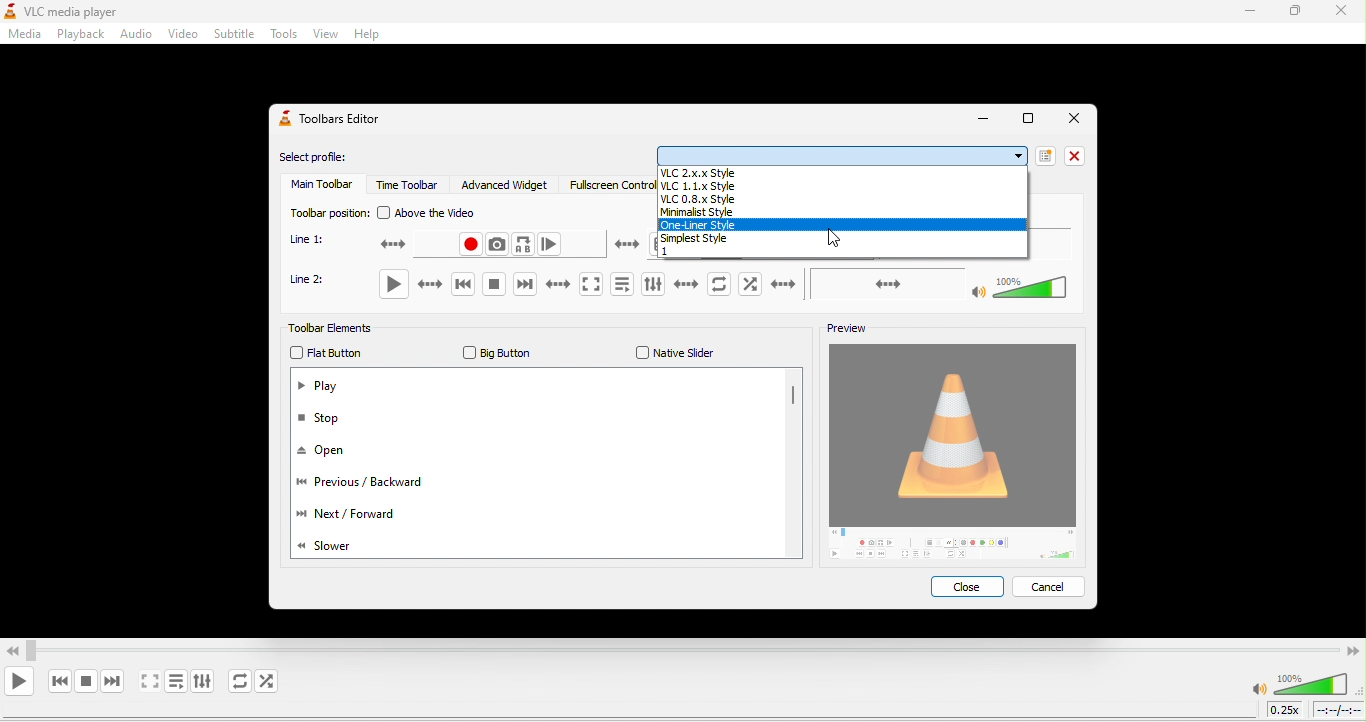 The width and height of the screenshot is (1366, 722). I want to click on close, so click(966, 586).